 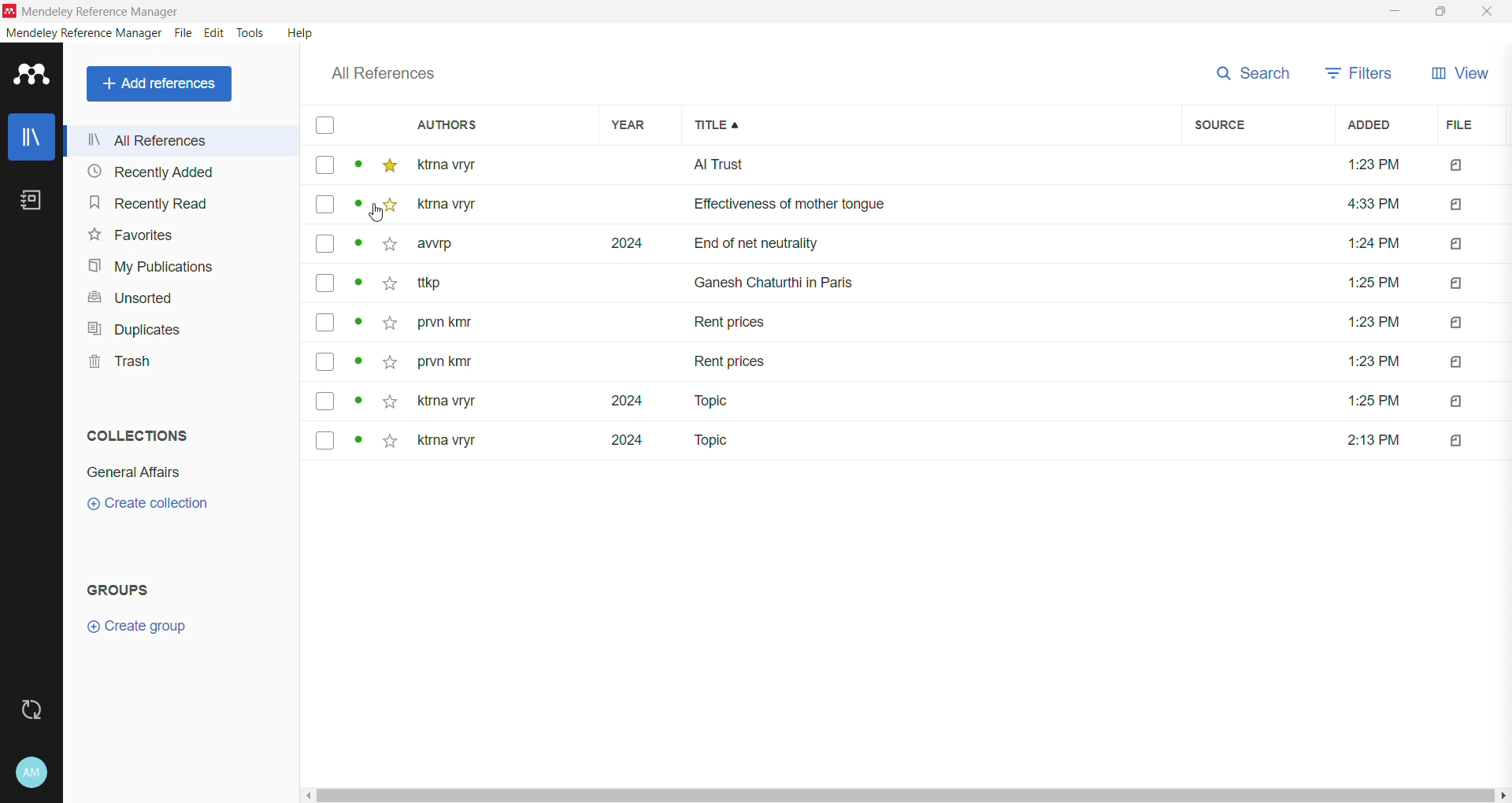 What do you see at coordinates (888, 165) in the screenshot?
I see `all trust` at bounding box center [888, 165].